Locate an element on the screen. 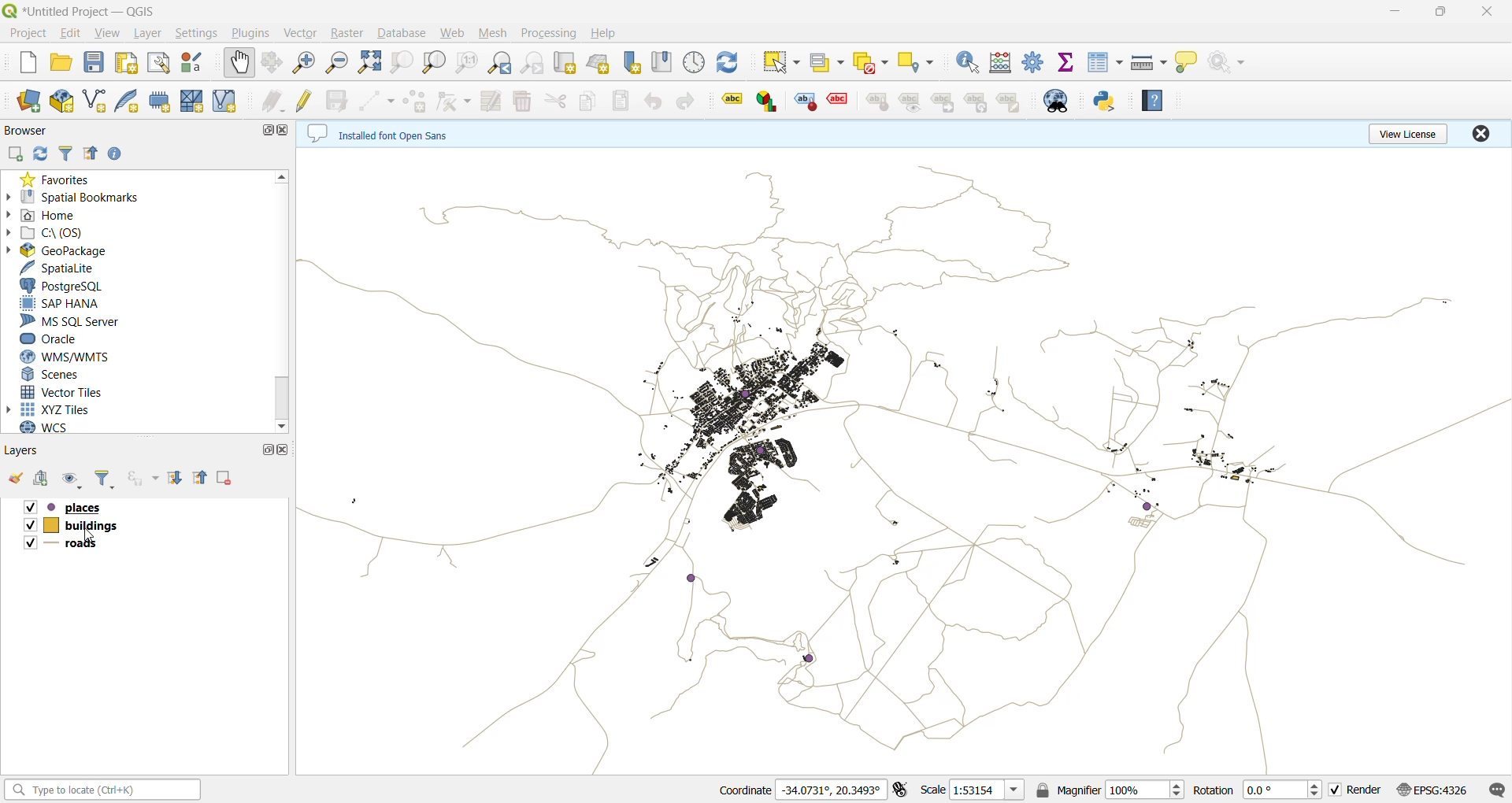 The width and height of the screenshot is (1512, 803). zoom next is located at coordinates (536, 64).